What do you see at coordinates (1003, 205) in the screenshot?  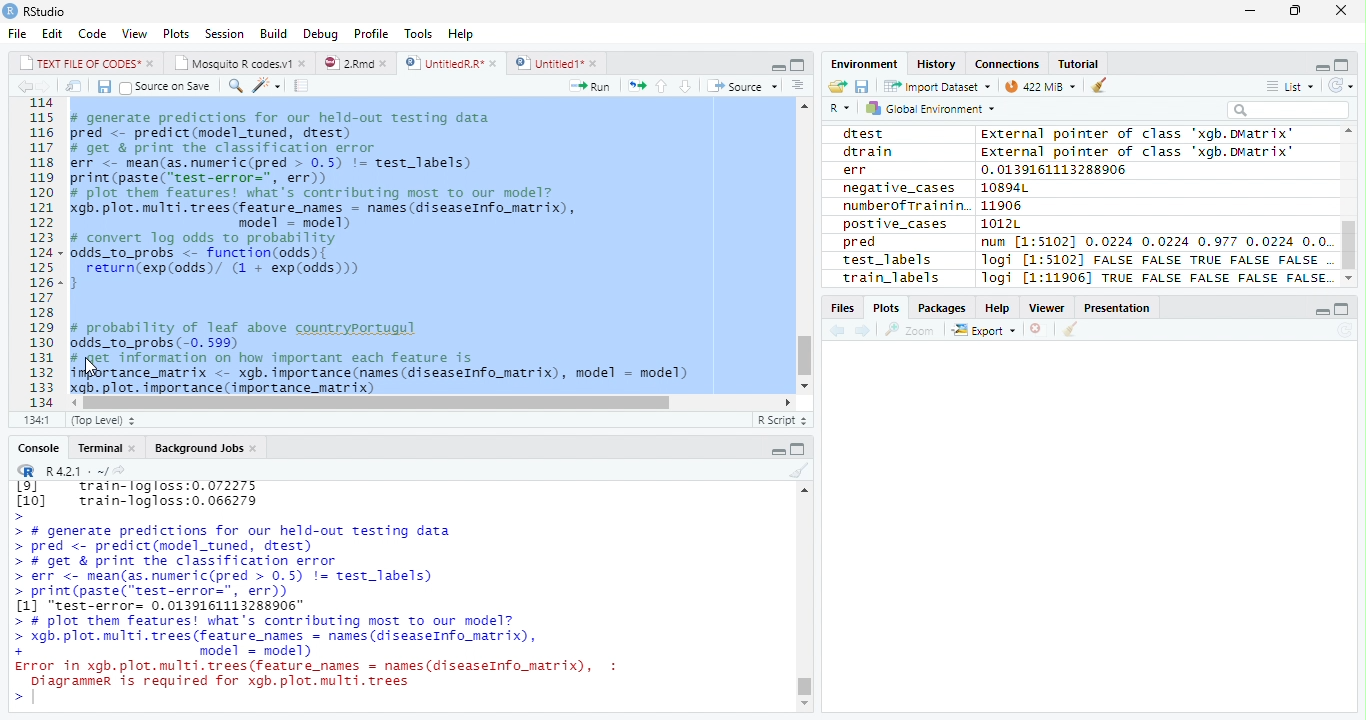 I see `11906` at bounding box center [1003, 205].